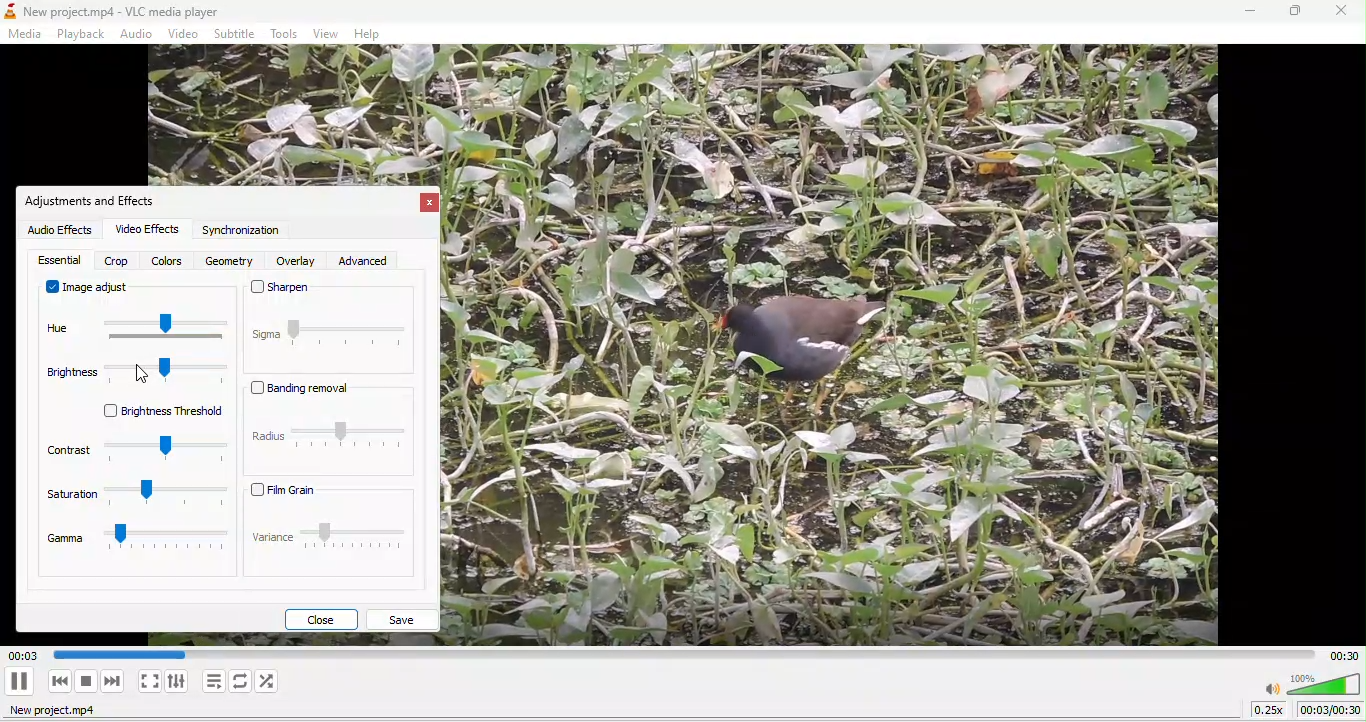 The height and width of the screenshot is (722, 1366). I want to click on banding removal, so click(312, 393).